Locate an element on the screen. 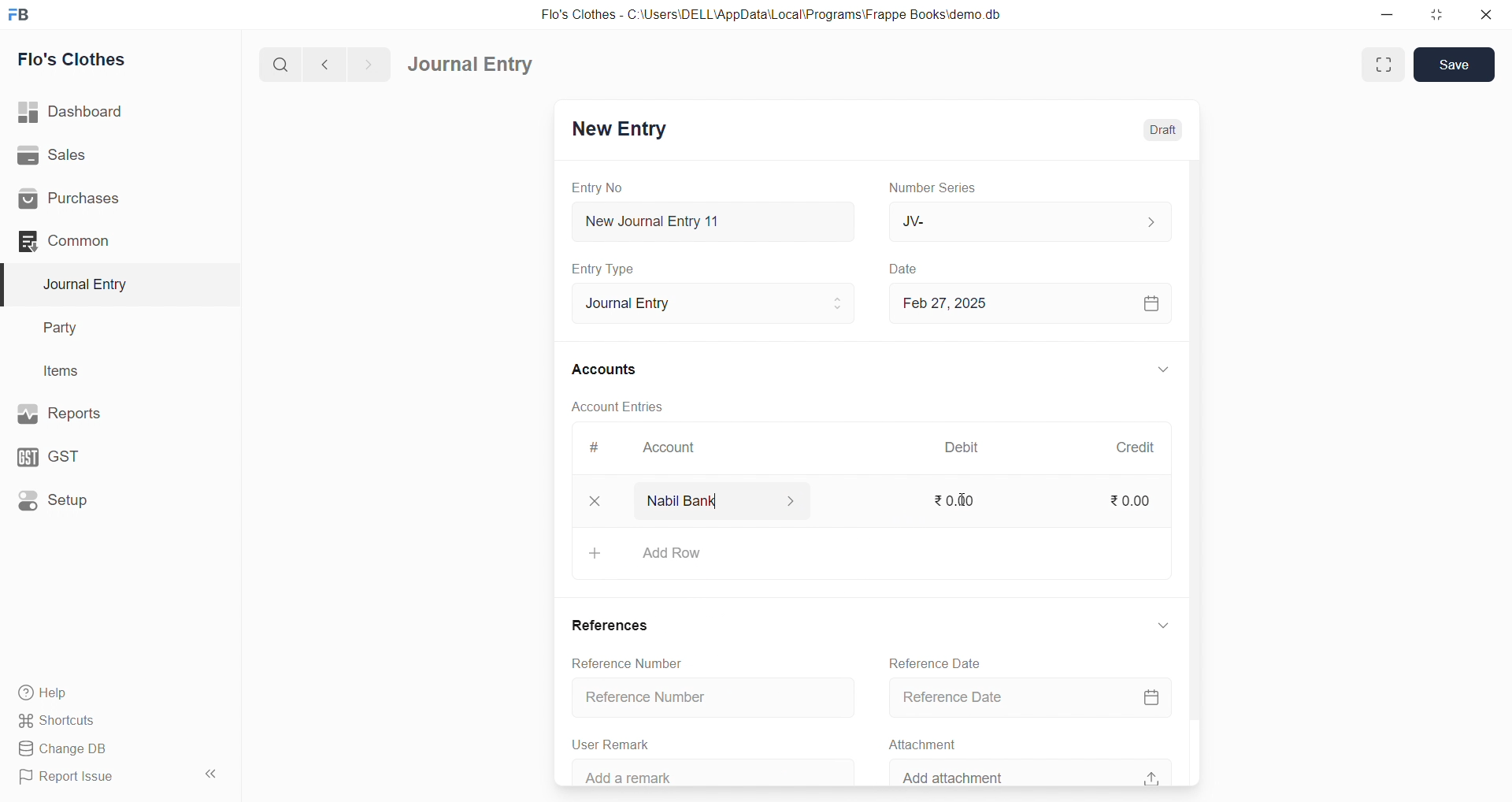 The height and width of the screenshot is (802, 1512). Account Entries is located at coordinates (619, 405).